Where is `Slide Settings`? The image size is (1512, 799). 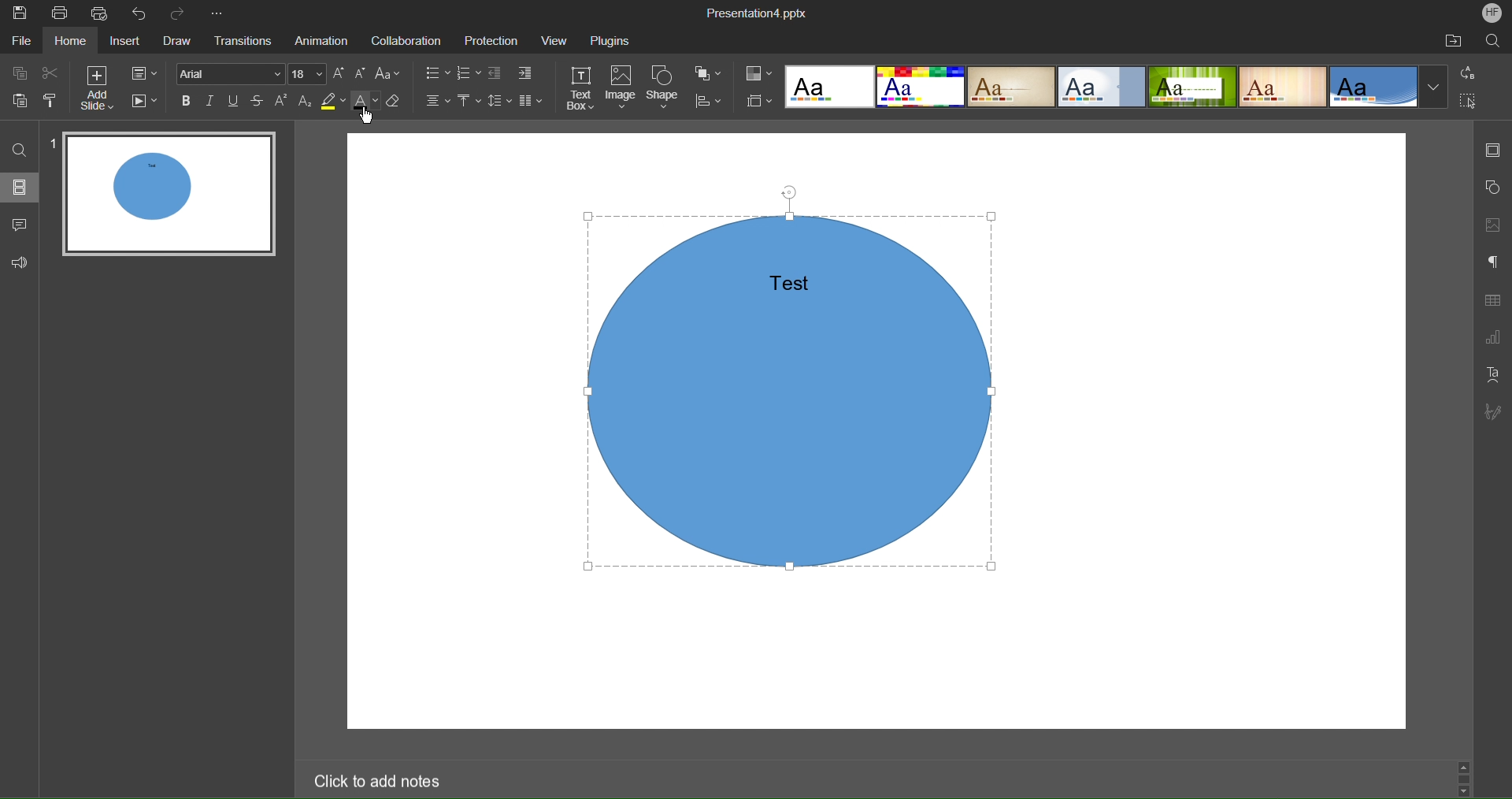
Slide Settings is located at coordinates (1493, 148).